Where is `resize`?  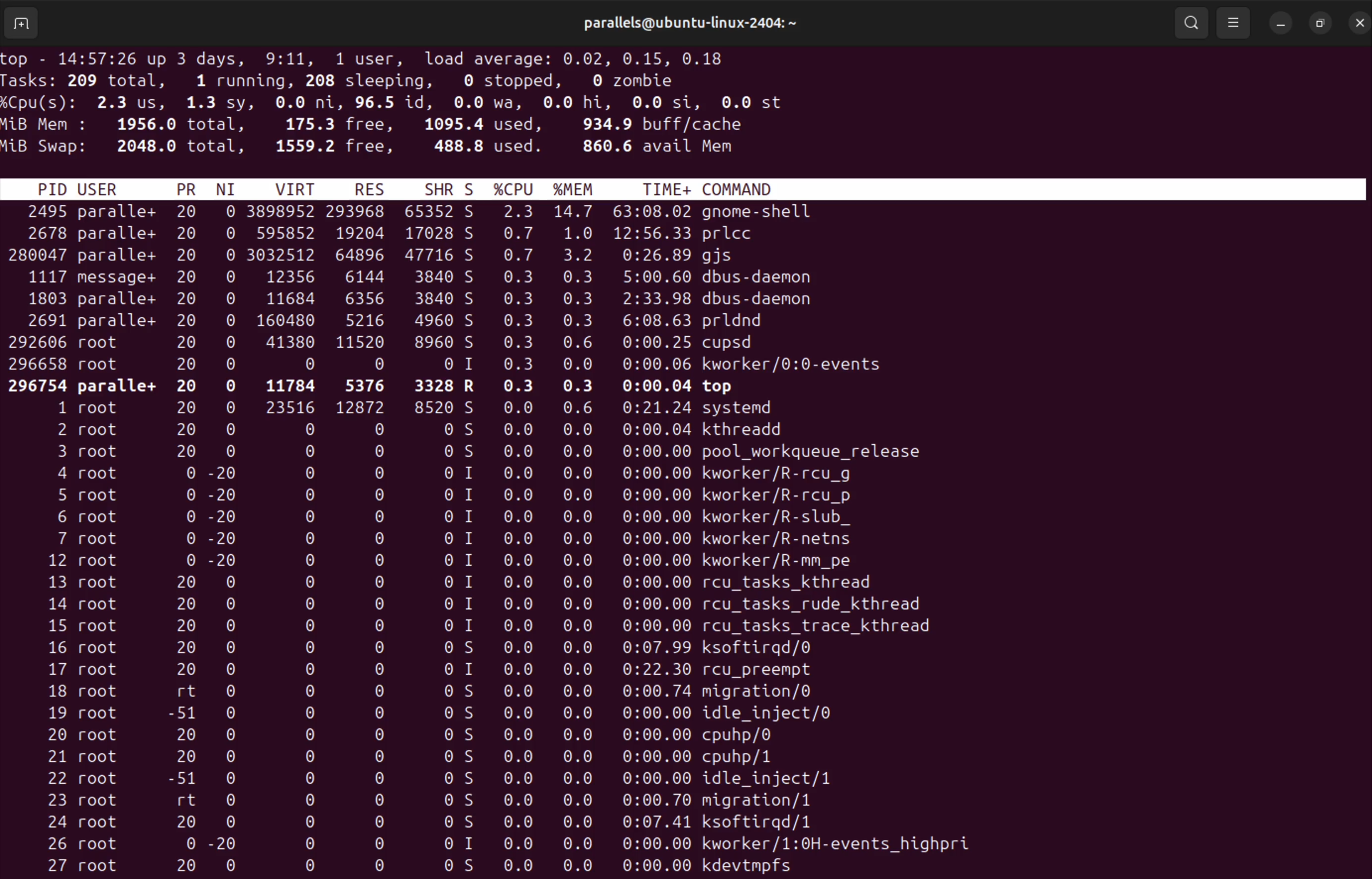
resize is located at coordinates (1320, 21).